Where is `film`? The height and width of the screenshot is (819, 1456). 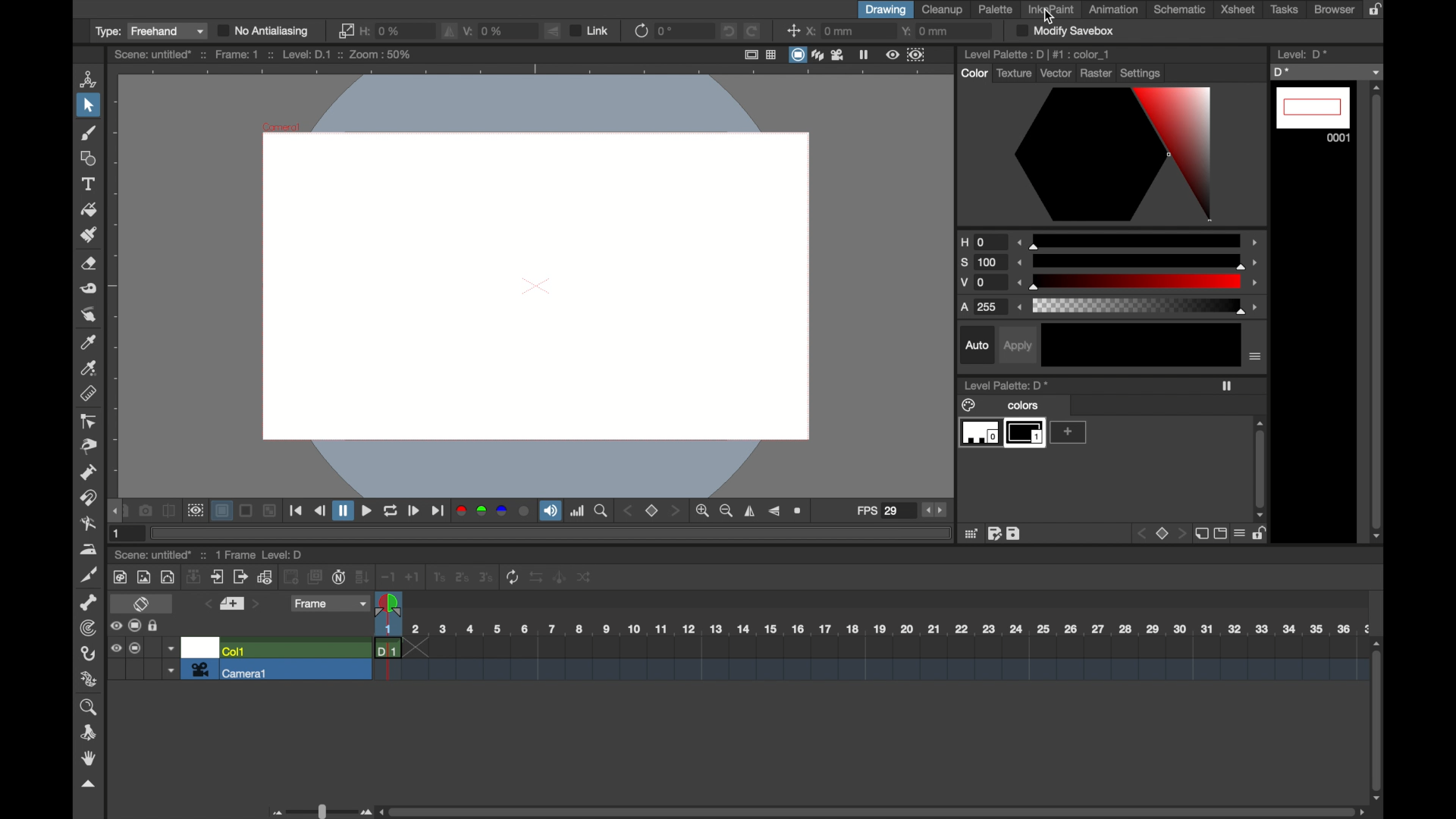 film is located at coordinates (839, 55).